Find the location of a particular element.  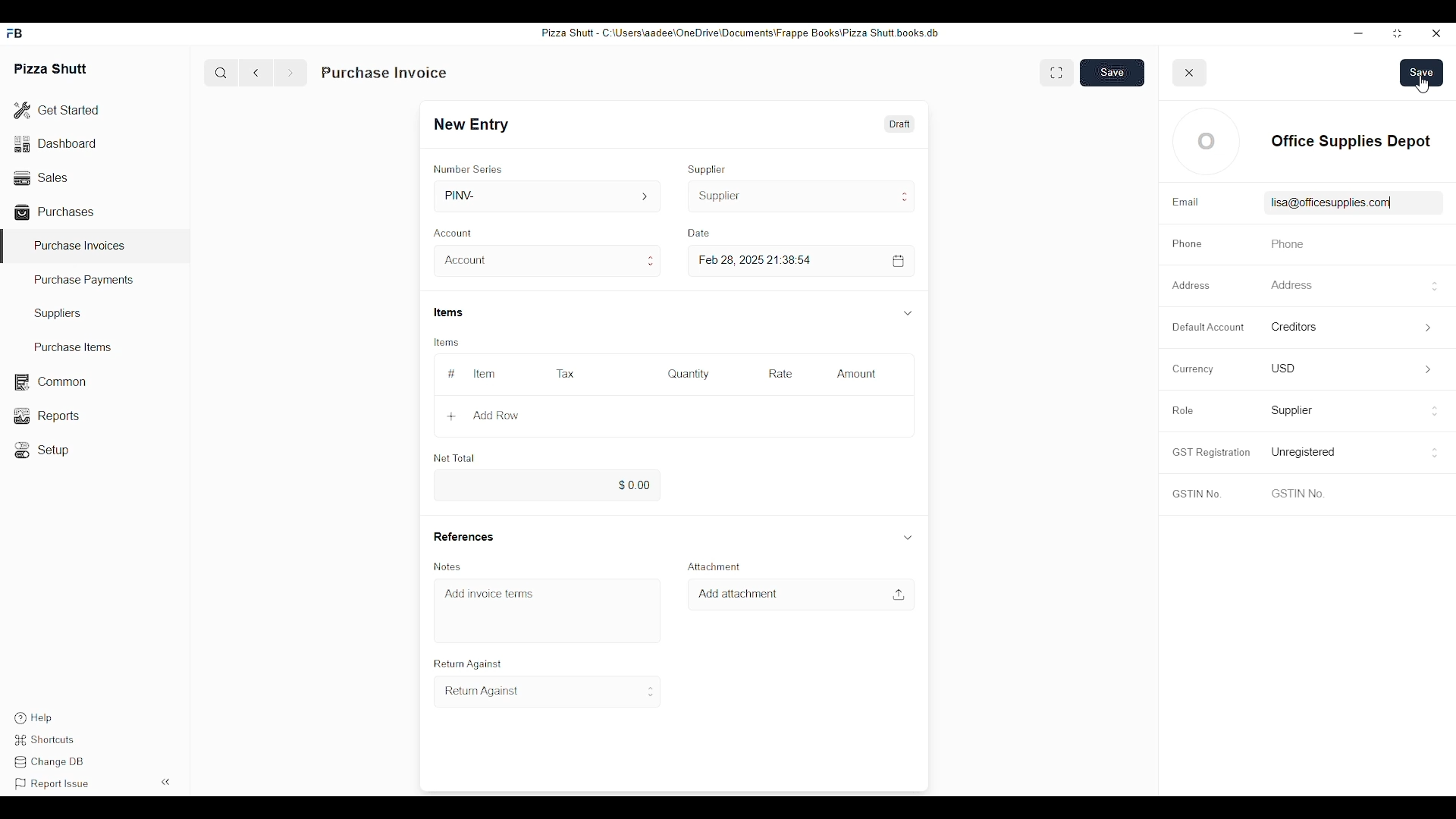

Net Total is located at coordinates (454, 458).